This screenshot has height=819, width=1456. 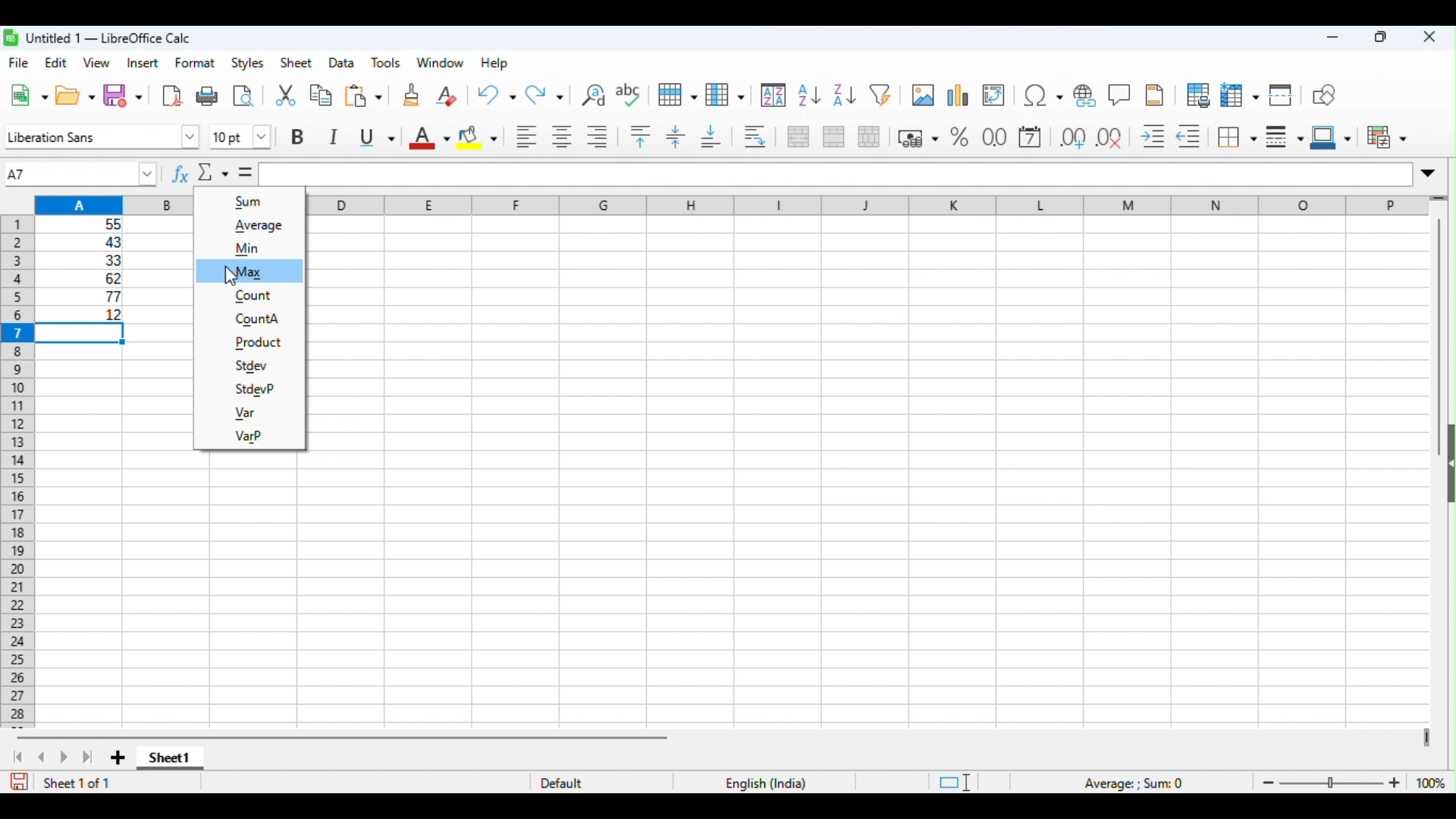 What do you see at coordinates (567, 783) in the screenshot?
I see `default` at bounding box center [567, 783].